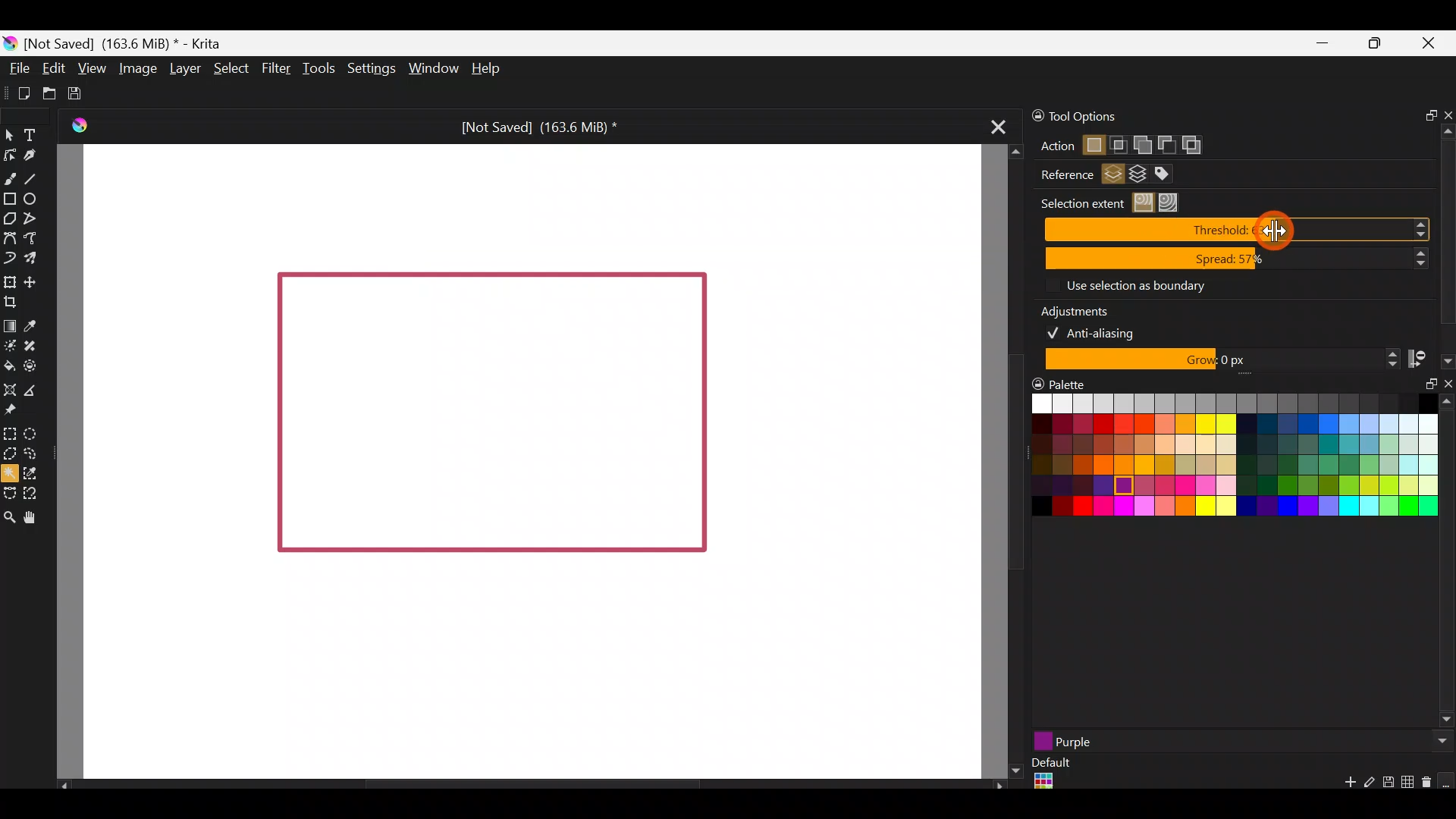 This screenshot has width=1456, height=819. What do you see at coordinates (1425, 113) in the screenshot?
I see `Float docker` at bounding box center [1425, 113].